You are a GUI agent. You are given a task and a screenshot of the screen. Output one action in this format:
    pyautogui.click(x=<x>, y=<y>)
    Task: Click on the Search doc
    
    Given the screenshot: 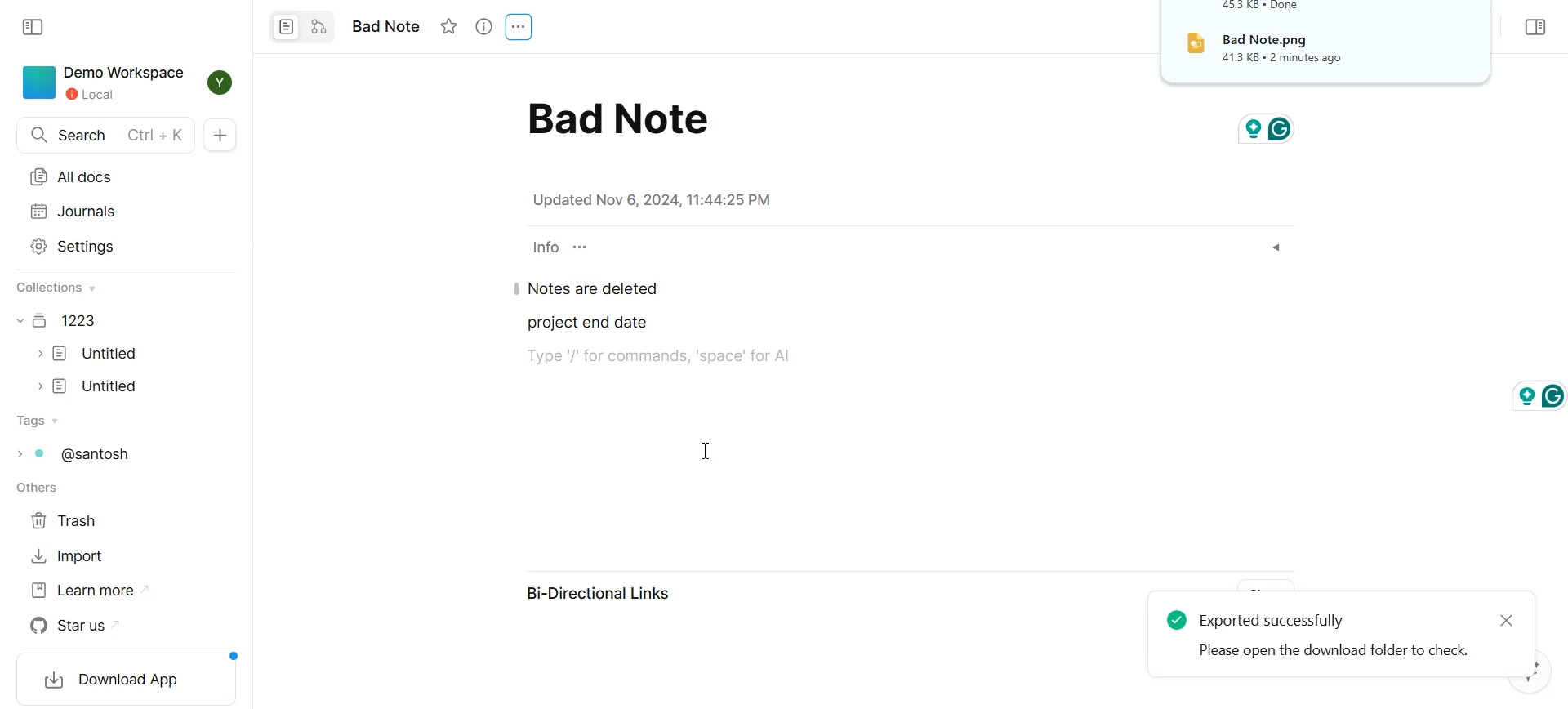 What is the action you would take?
    pyautogui.click(x=106, y=136)
    